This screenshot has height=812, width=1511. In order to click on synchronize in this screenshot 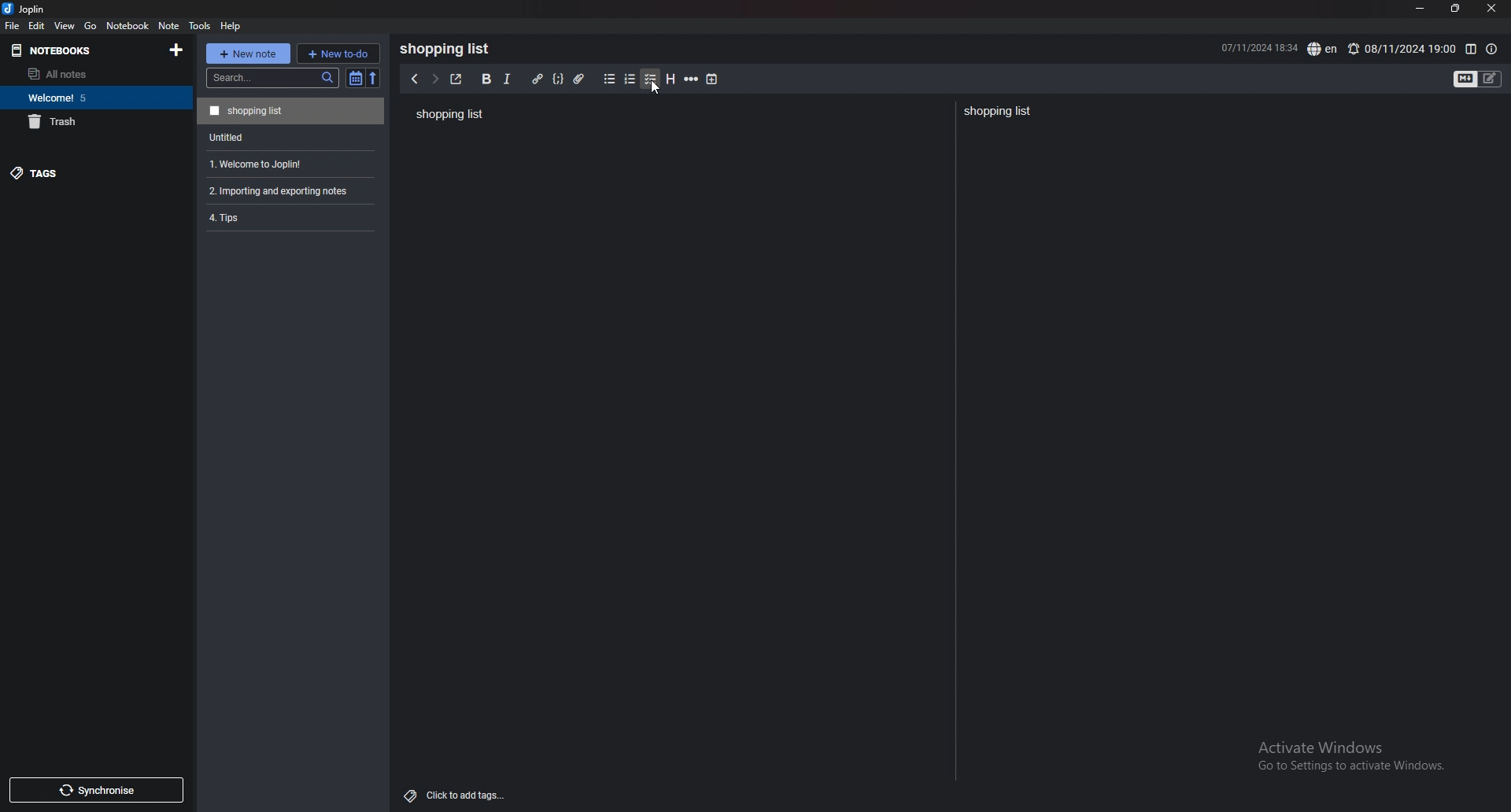, I will do `click(95, 790)`.